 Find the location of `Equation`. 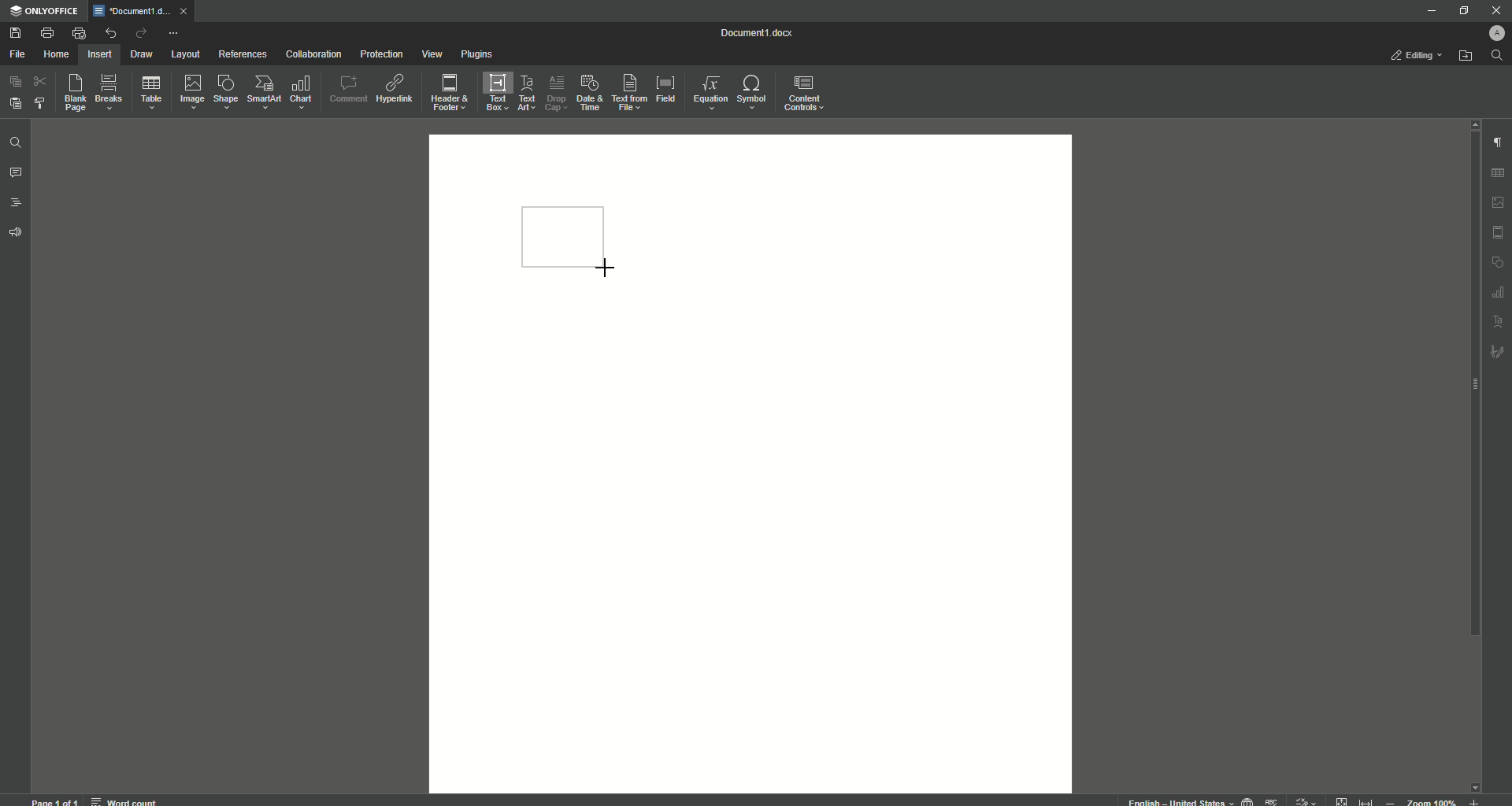

Equation is located at coordinates (706, 91).